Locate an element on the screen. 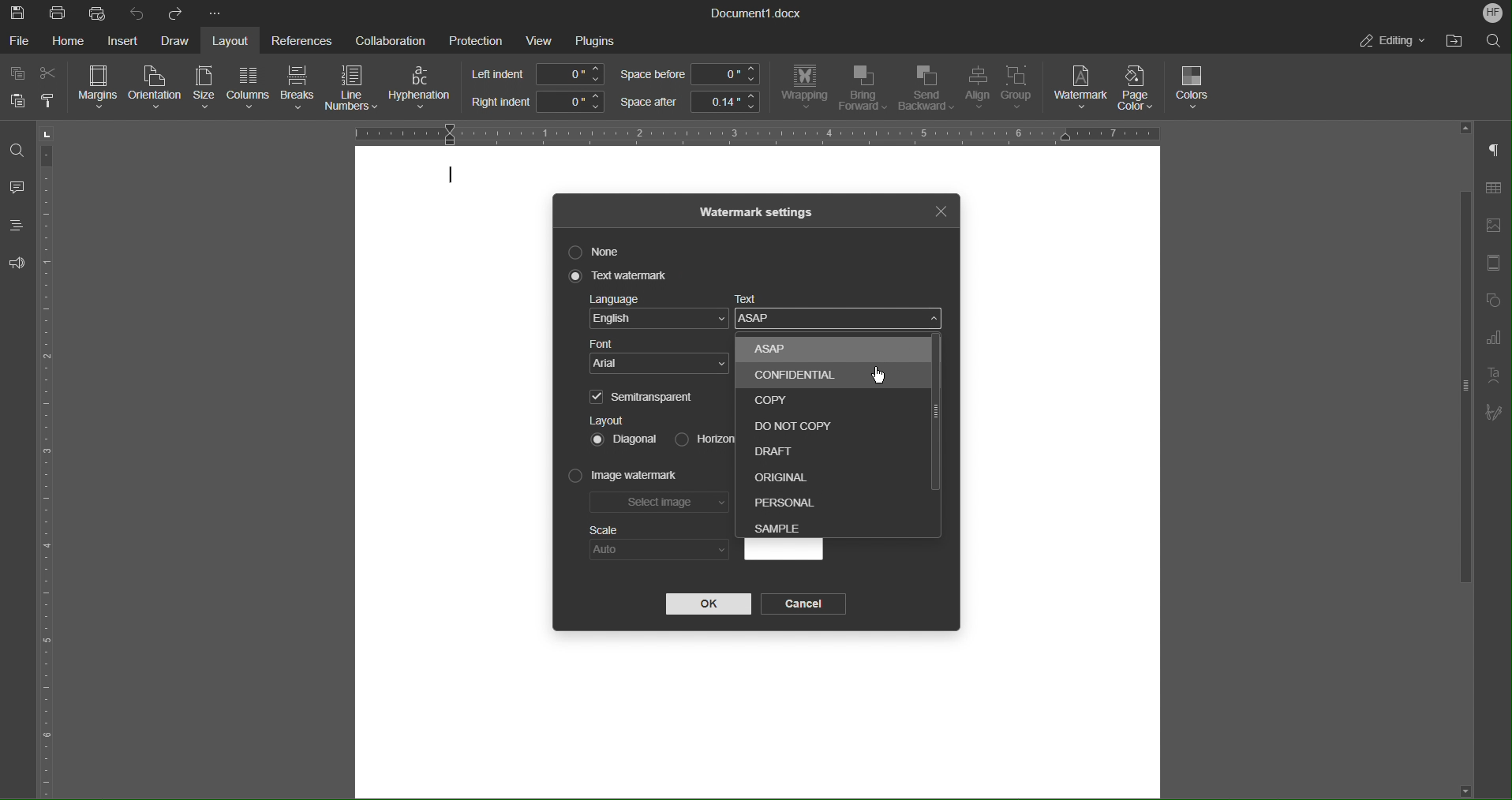  Layout is located at coordinates (607, 420).